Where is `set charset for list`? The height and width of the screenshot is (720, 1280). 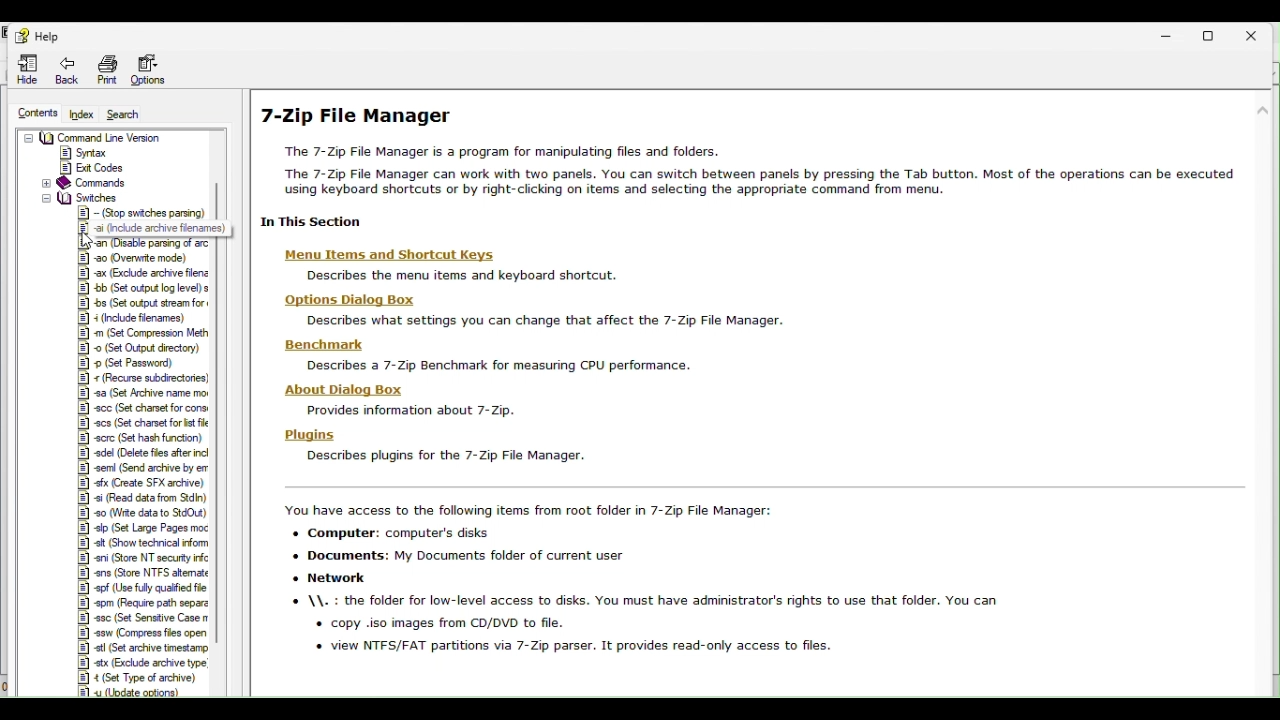
set charset for list is located at coordinates (144, 422).